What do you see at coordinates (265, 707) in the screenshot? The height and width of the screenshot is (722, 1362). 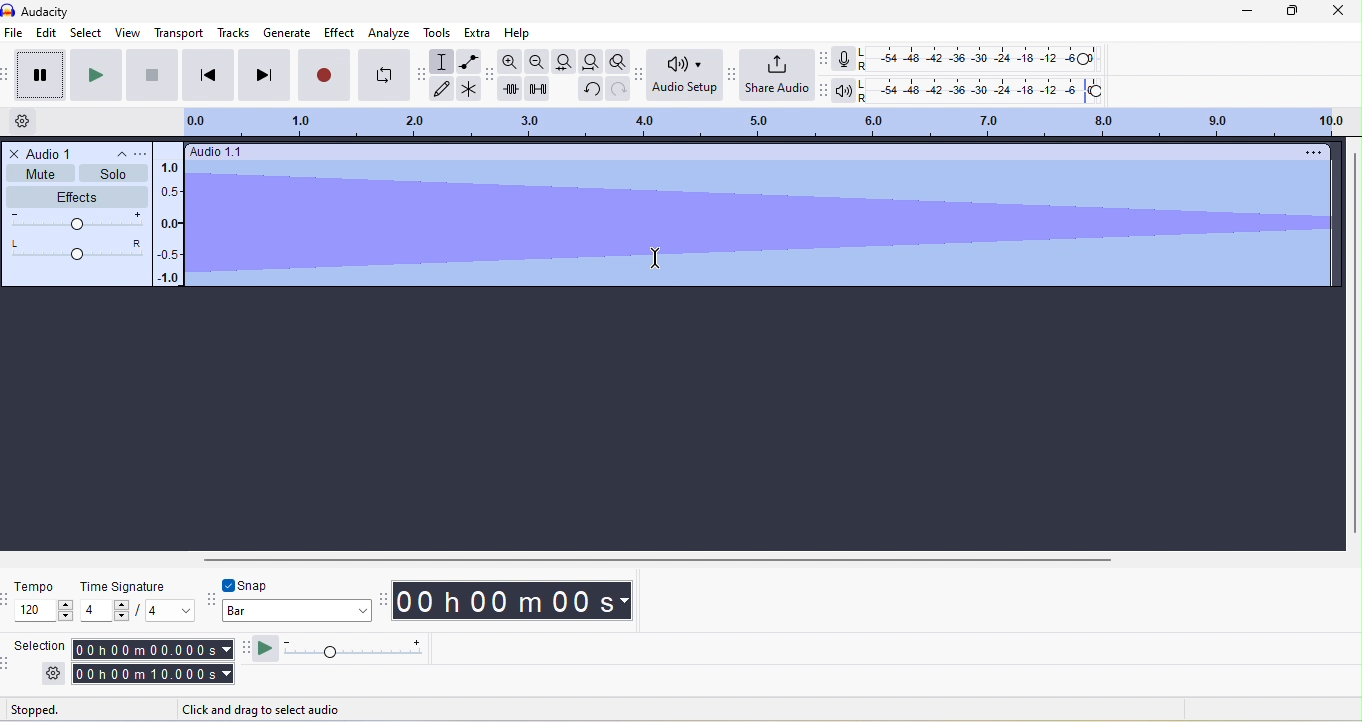 I see `click and drag to select audio` at bounding box center [265, 707].